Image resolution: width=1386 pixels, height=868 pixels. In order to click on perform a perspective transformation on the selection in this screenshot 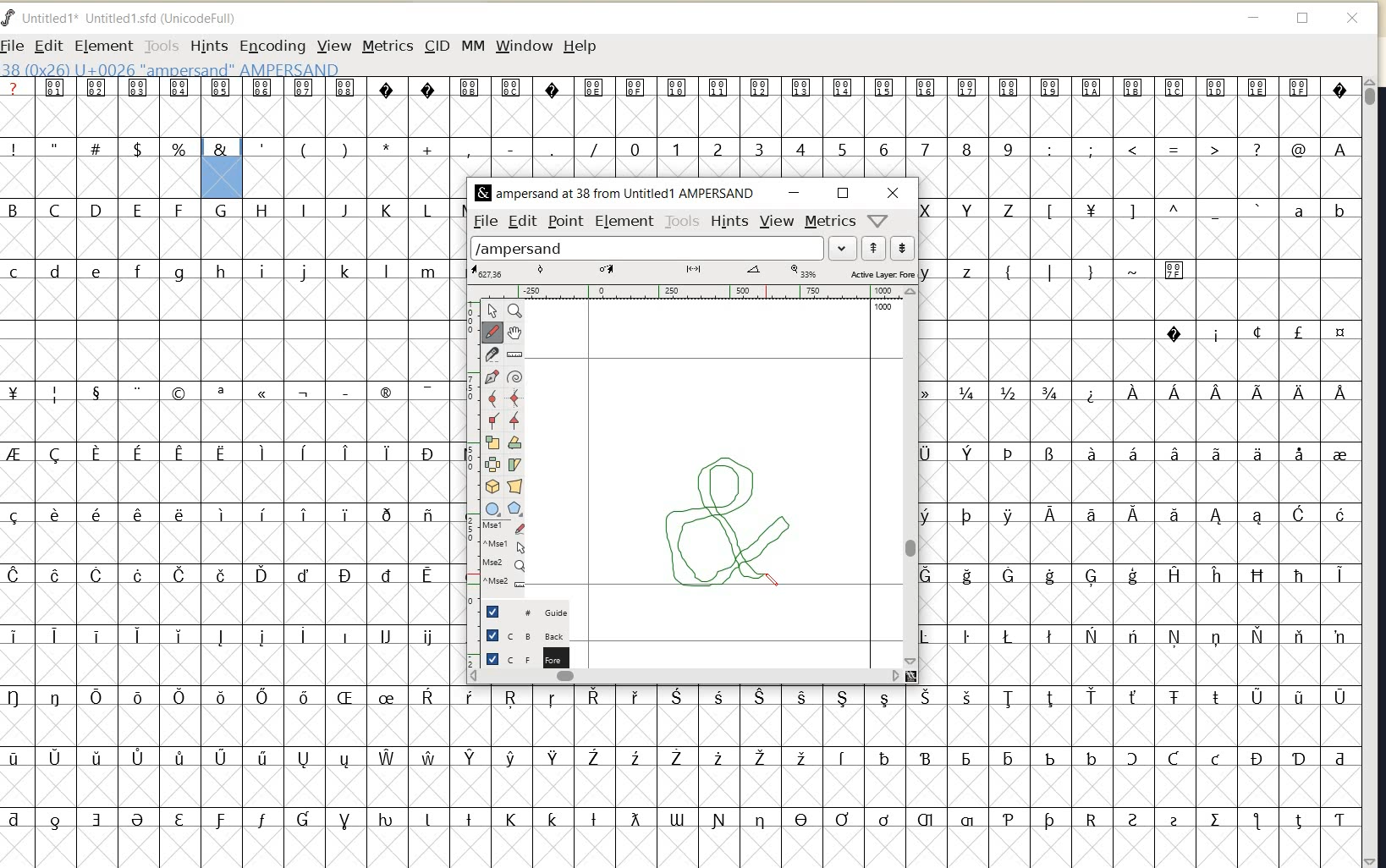, I will do `click(514, 487)`.